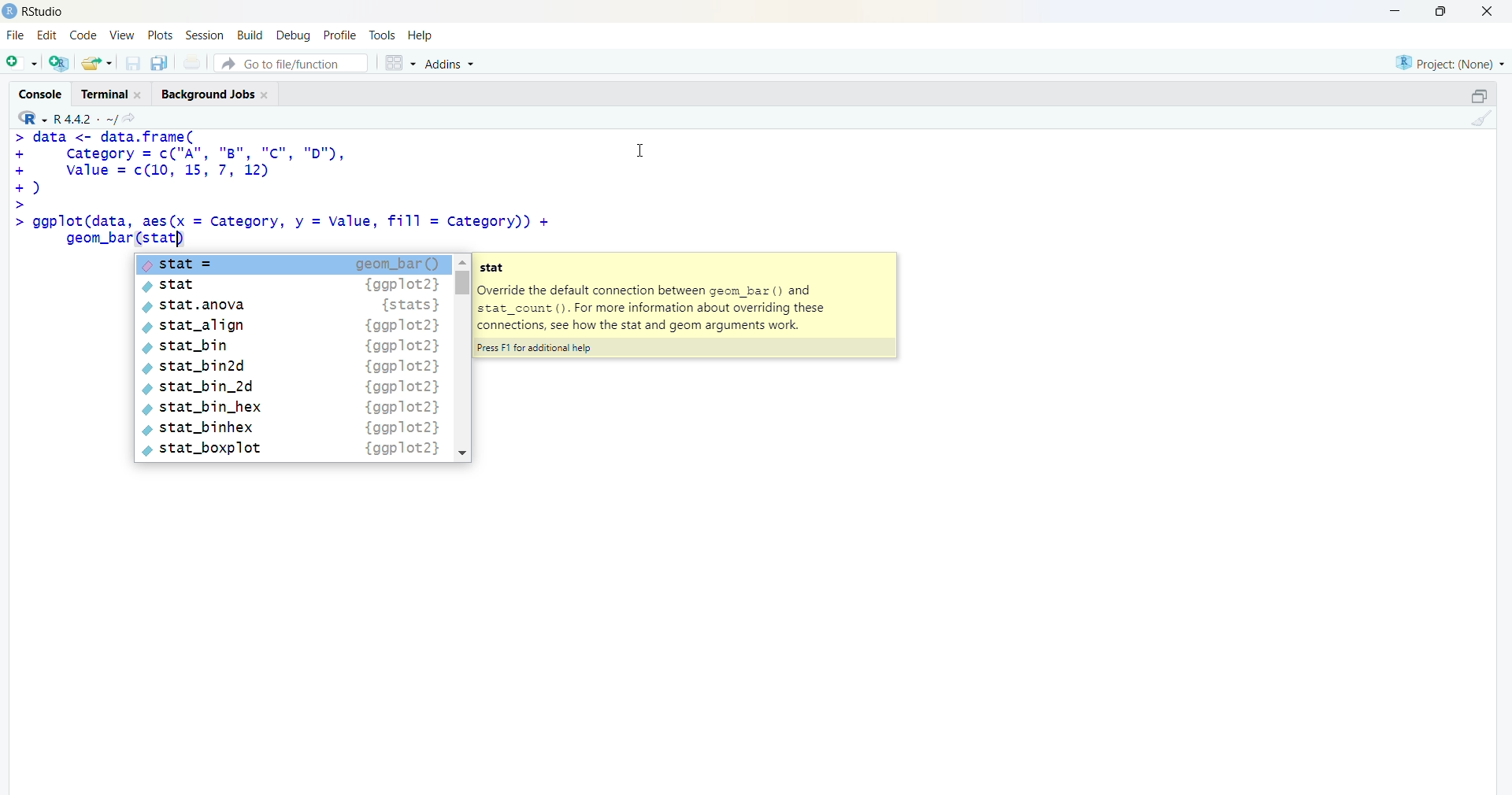 Image resolution: width=1512 pixels, height=795 pixels. What do you see at coordinates (85, 117) in the screenshot?
I see ` R language version - R 4.4.2` at bounding box center [85, 117].